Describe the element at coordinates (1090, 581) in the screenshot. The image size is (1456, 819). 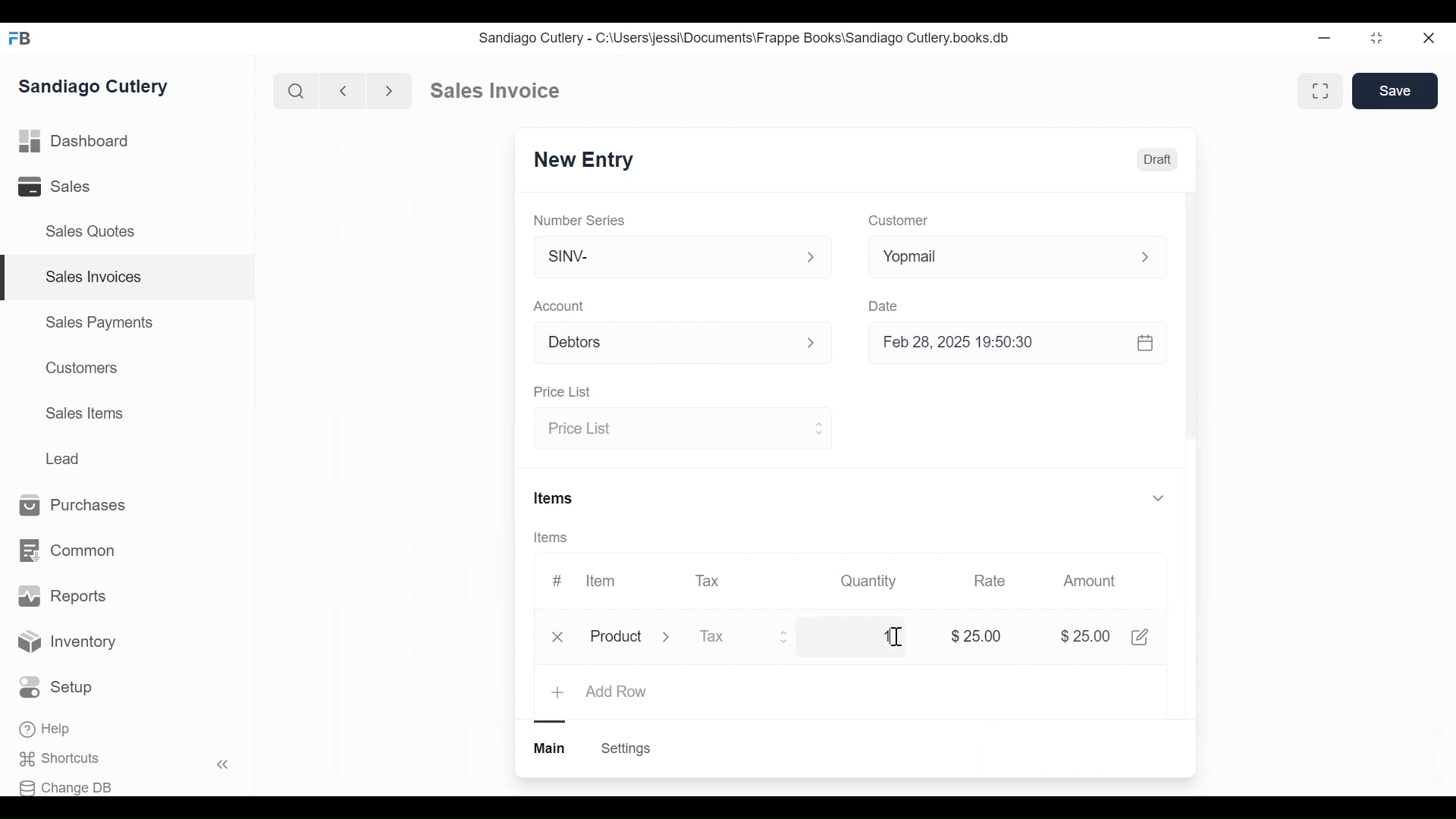
I see `Amount` at that location.